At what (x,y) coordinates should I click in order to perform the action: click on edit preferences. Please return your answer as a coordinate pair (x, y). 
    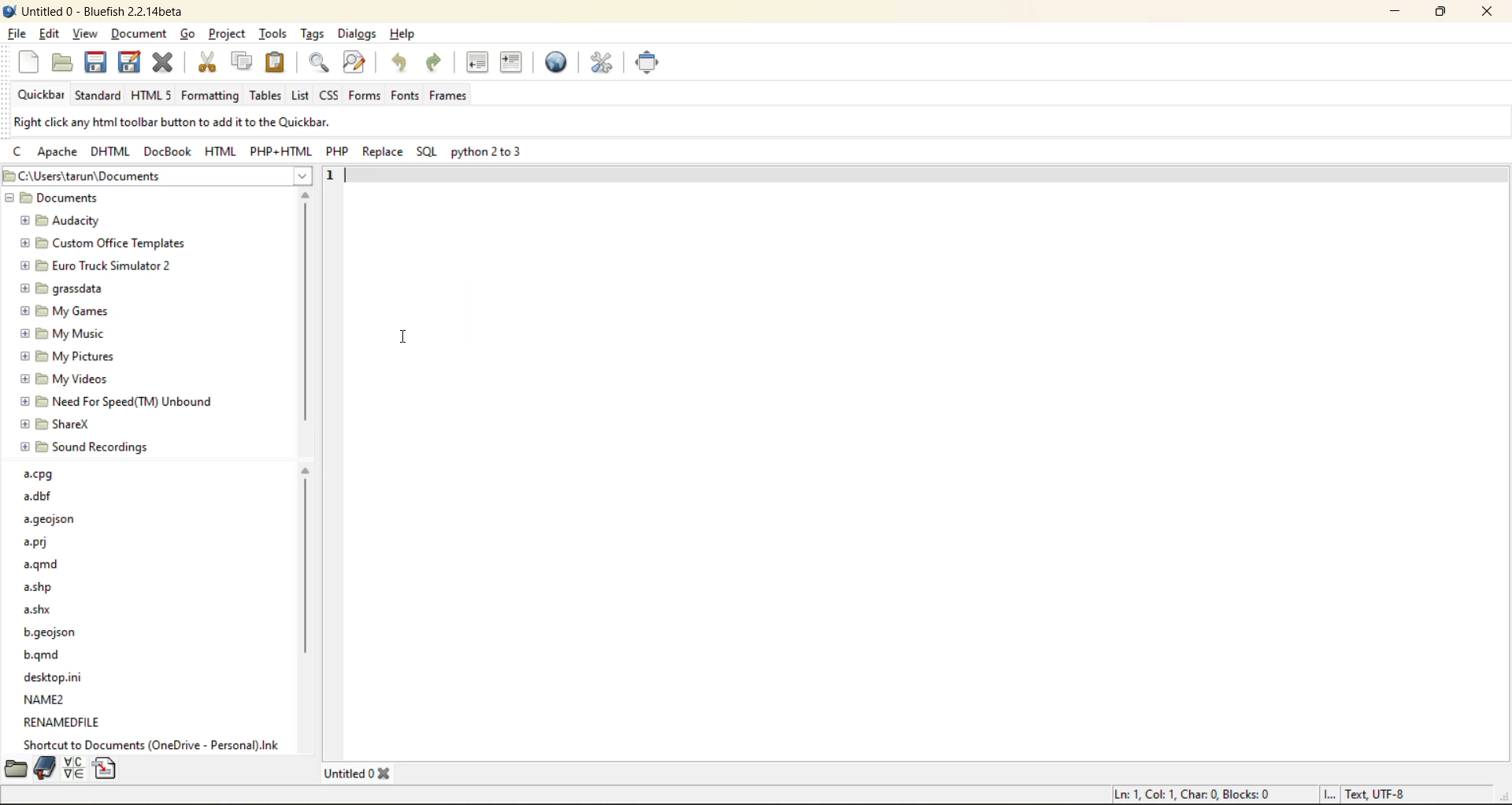
    Looking at the image, I should click on (600, 64).